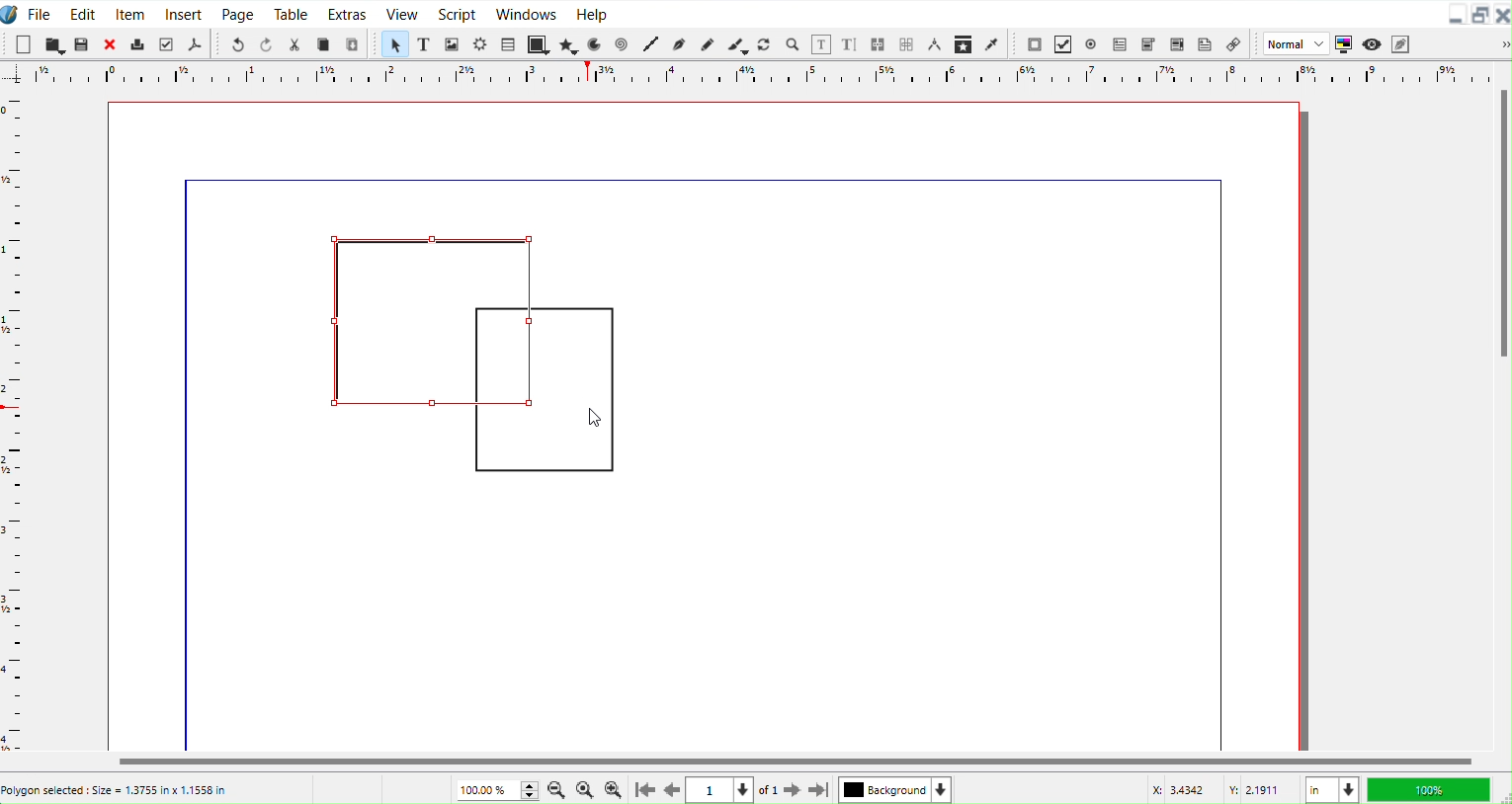  I want to click on Rotate Item, so click(765, 44).